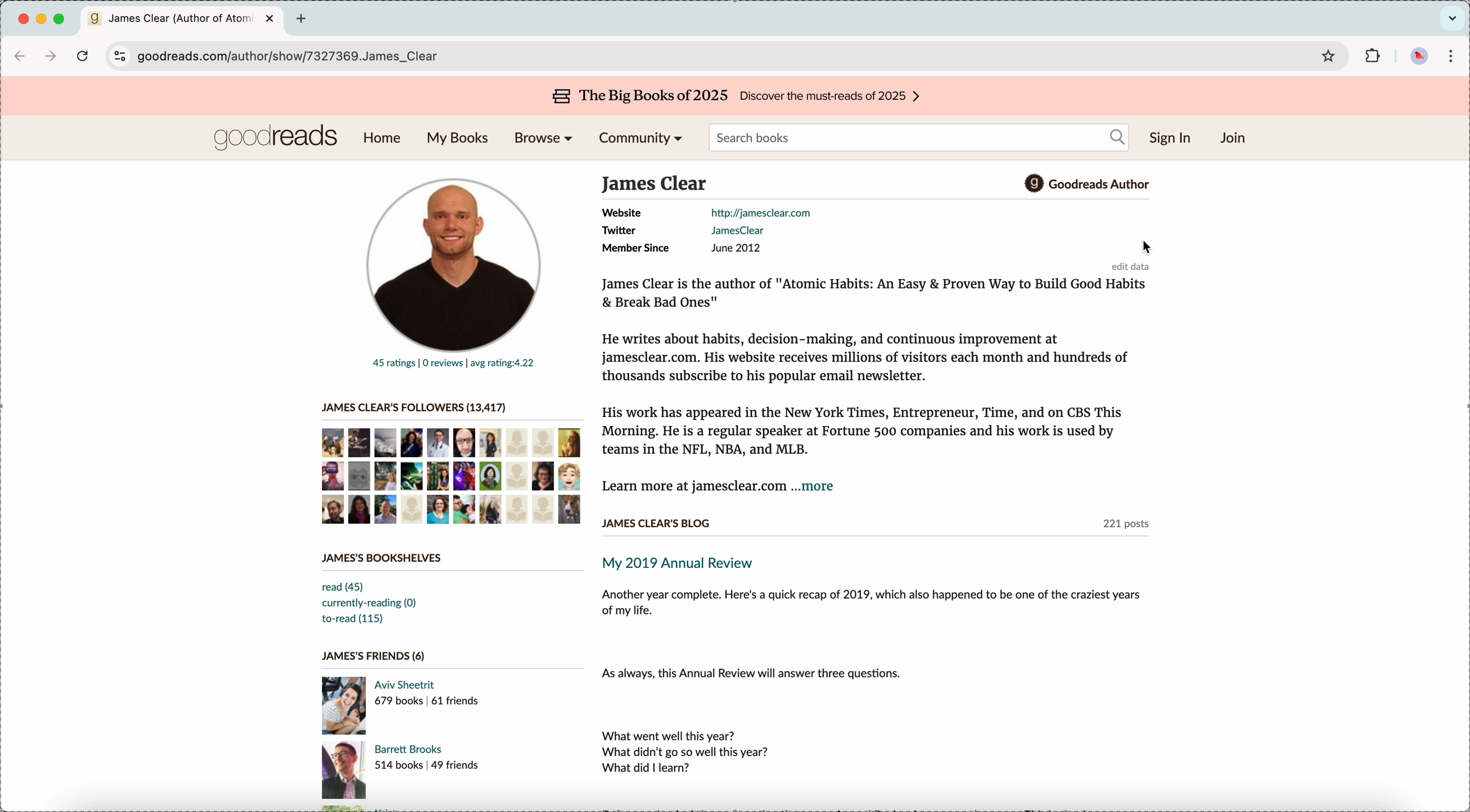 Image resolution: width=1470 pixels, height=812 pixels. I want to click on home, so click(385, 139).